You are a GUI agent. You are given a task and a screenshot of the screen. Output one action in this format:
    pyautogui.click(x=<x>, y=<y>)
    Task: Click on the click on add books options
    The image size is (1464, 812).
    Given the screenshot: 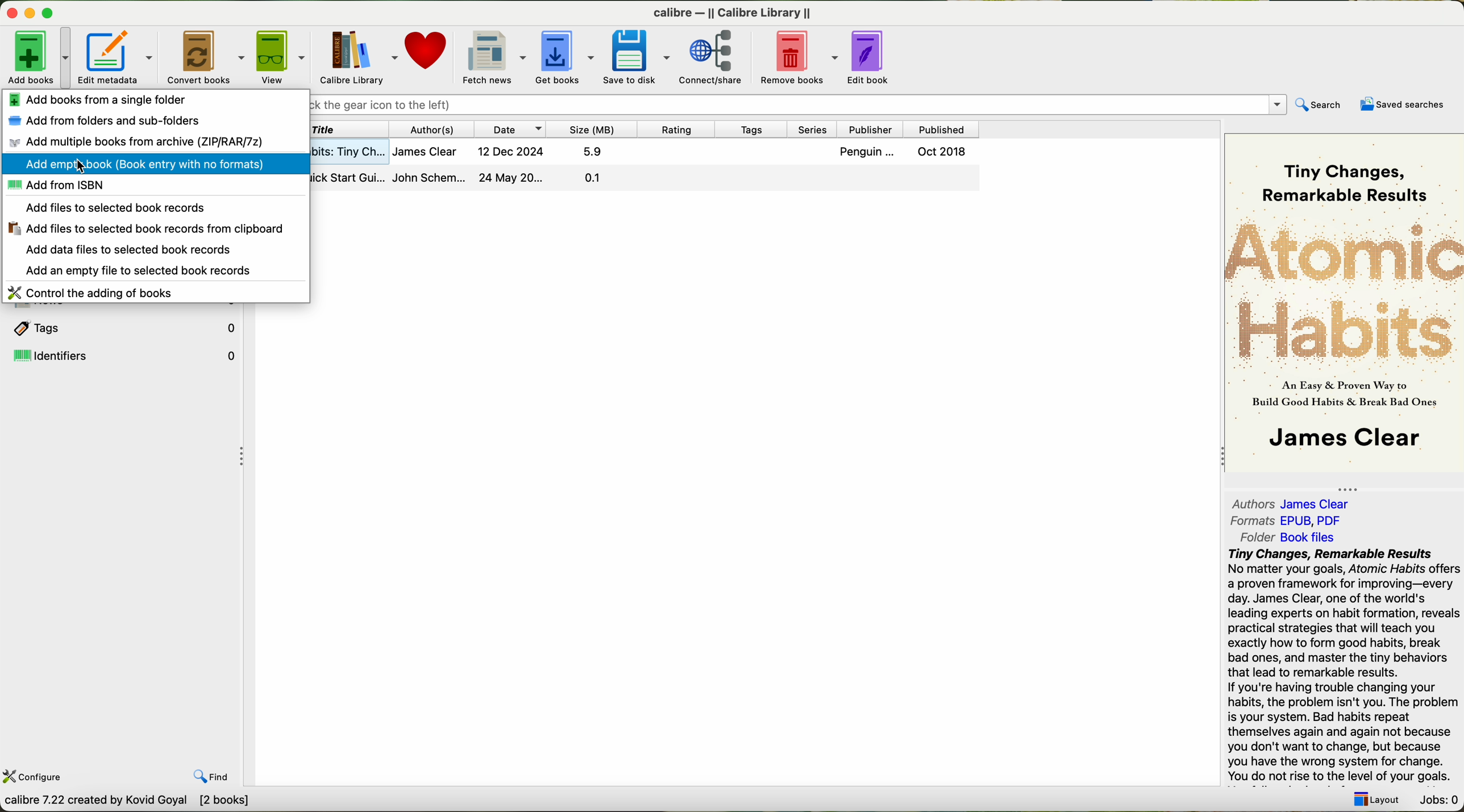 What is the action you would take?
    pyautogui.click(x=38, y=55)
    